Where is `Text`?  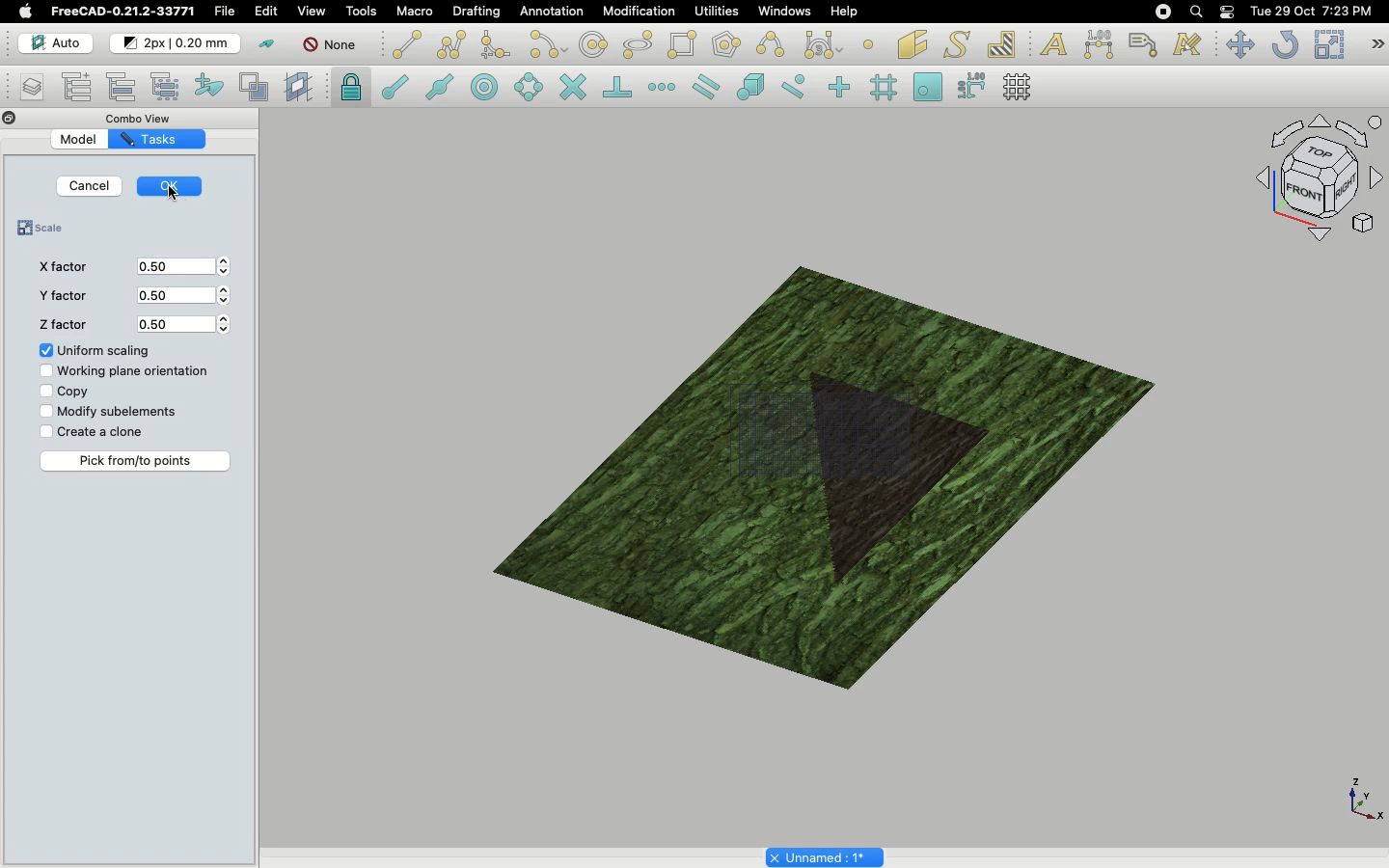
Text is located at coordinates (1053, 42).